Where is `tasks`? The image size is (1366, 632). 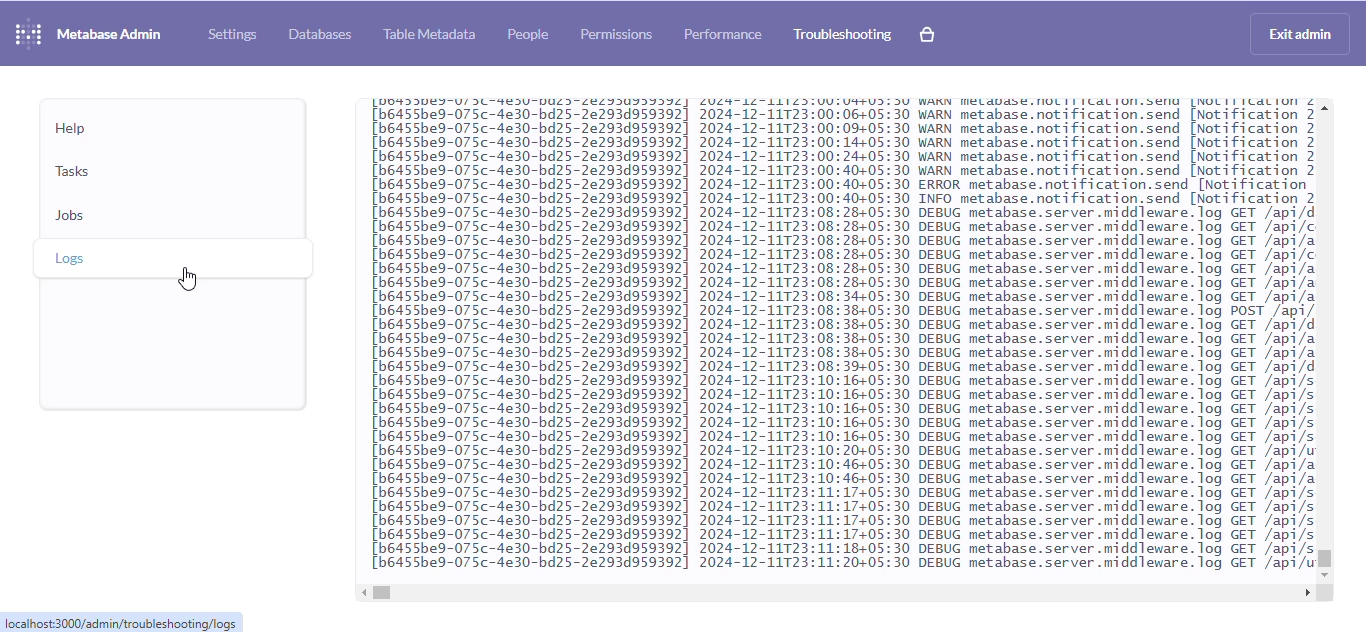
tasks is located at coordinates (73, 170).